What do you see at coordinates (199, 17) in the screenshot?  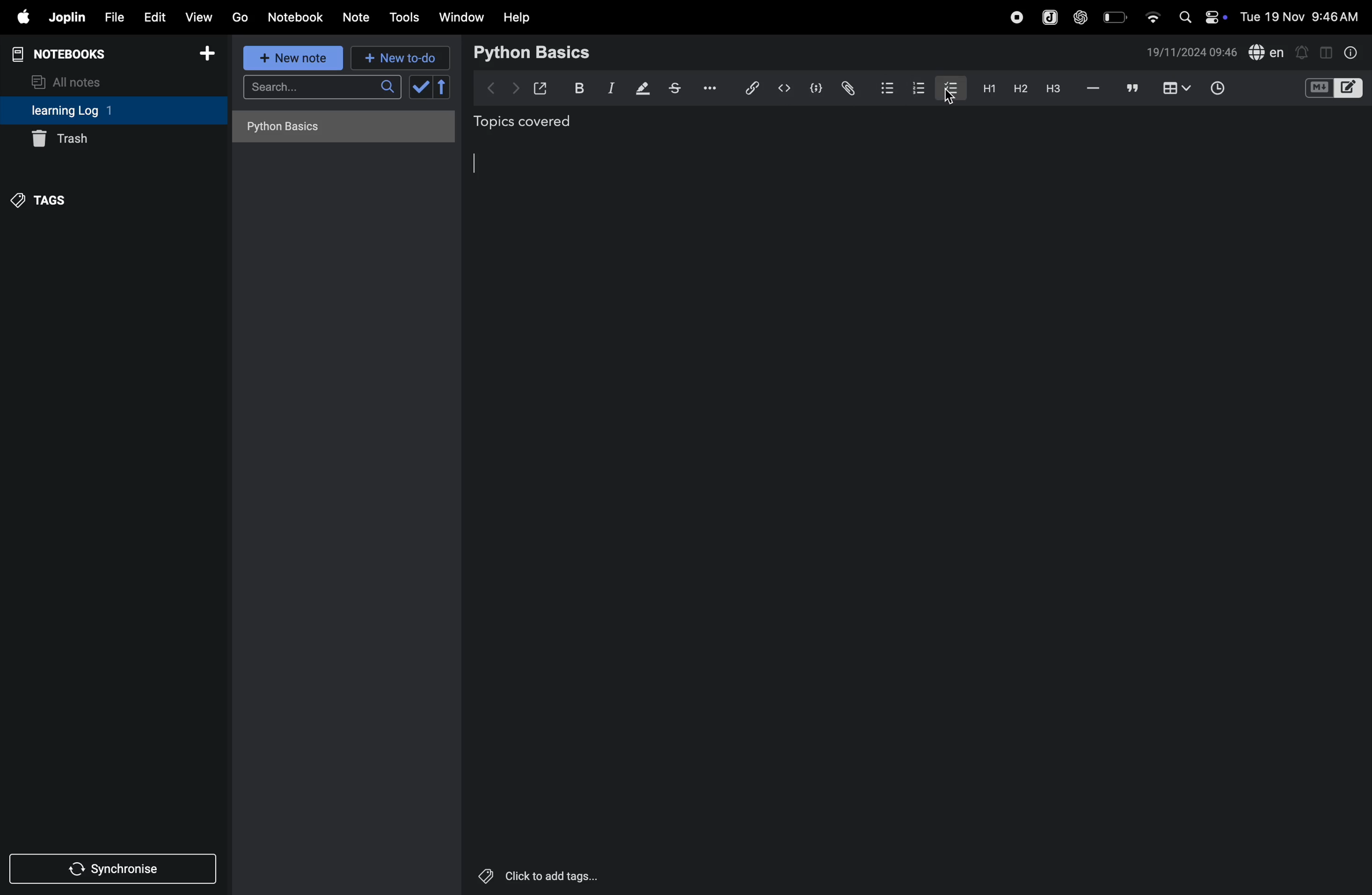 I see `view` at bounding box center [199, 17].